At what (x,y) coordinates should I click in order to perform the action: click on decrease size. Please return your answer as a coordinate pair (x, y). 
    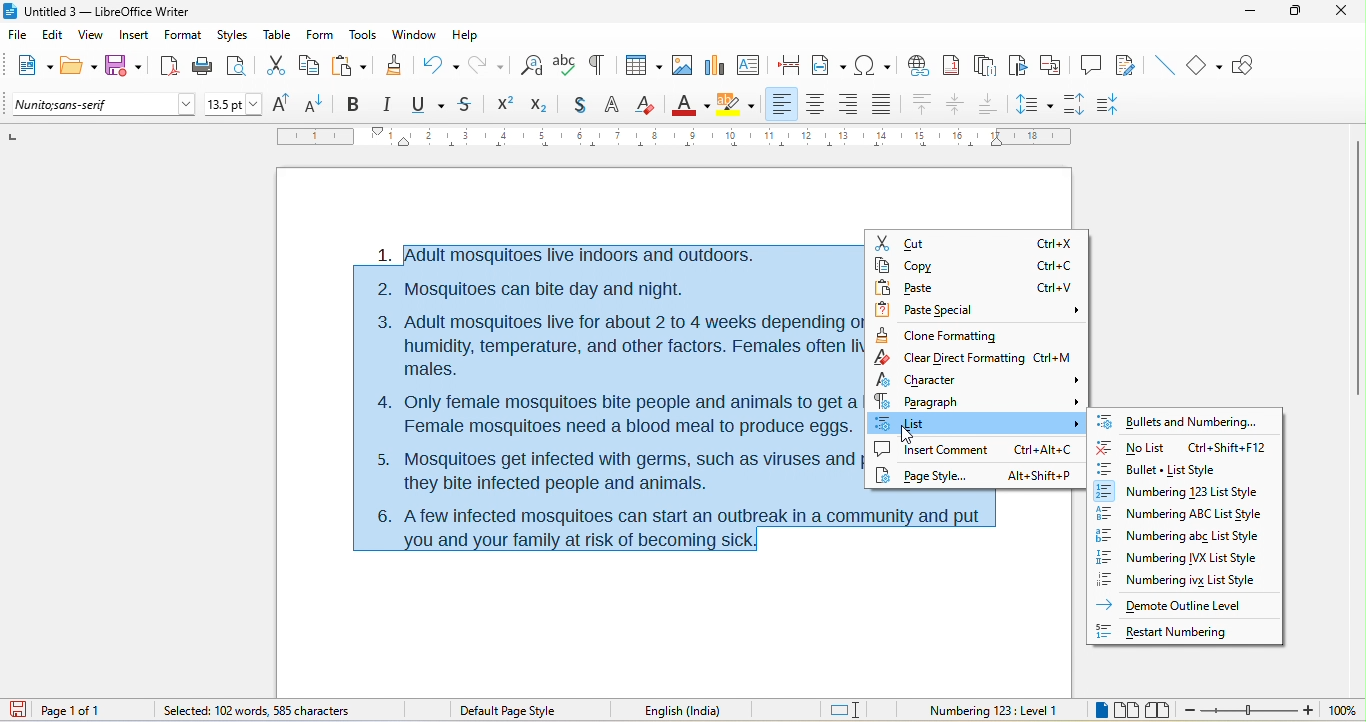
    Looking at the image, I should click on (319, 103).